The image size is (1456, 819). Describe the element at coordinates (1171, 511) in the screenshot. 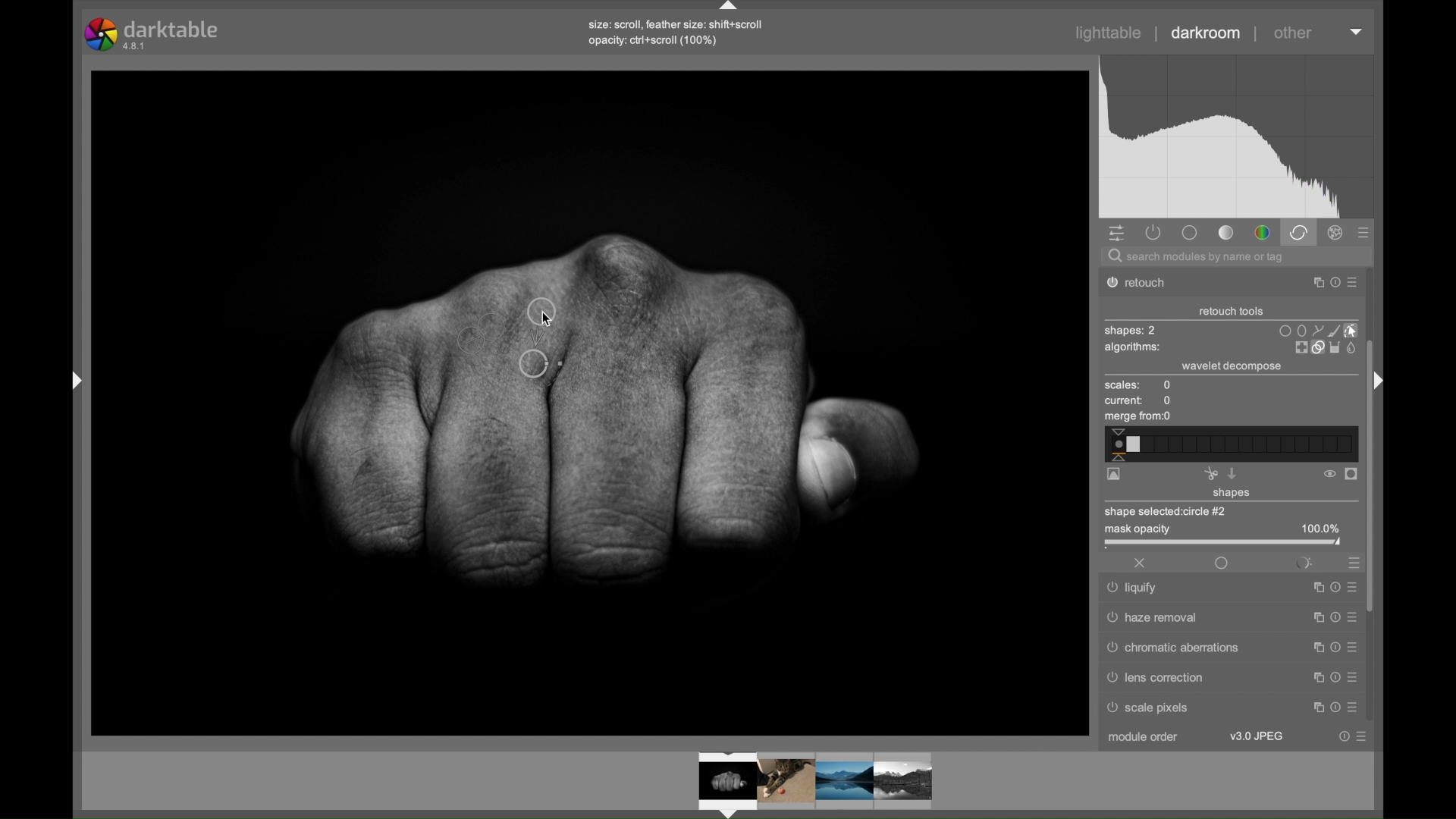

I see `shape selected:circle #2` at that location.